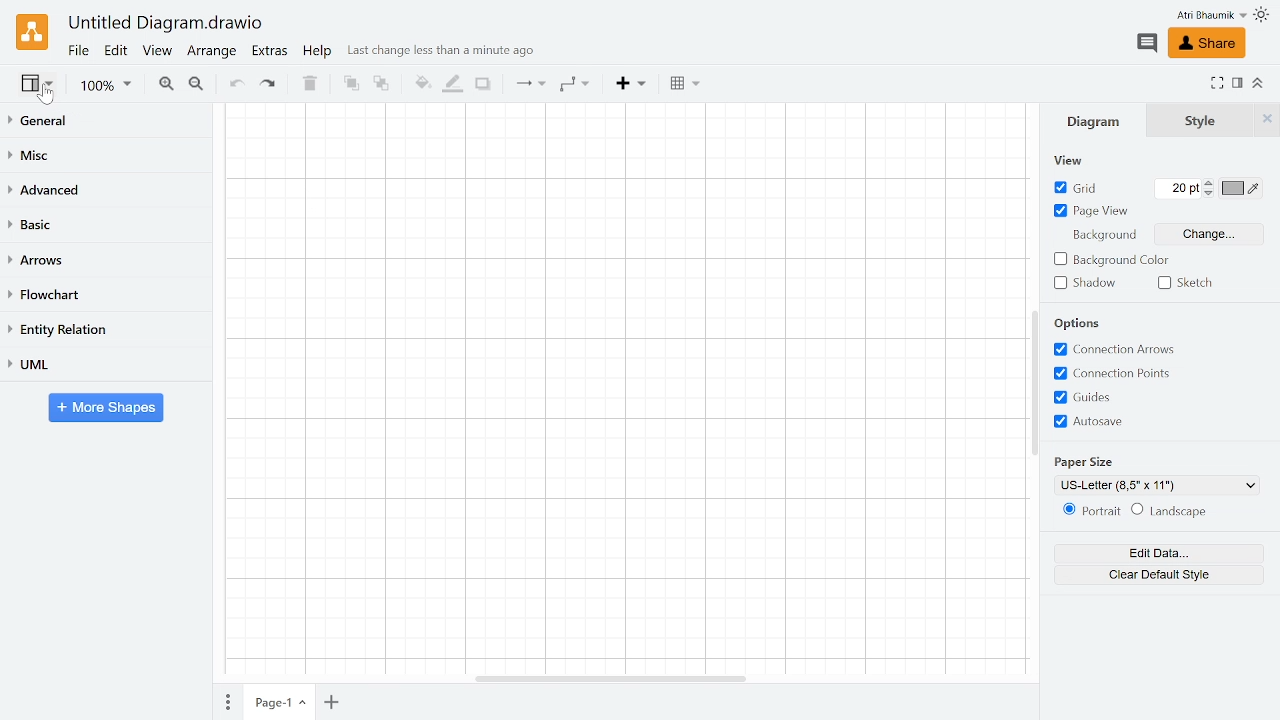  Describe the element at coordinates (35, 82) in the screenshot. I see `View` at that location.